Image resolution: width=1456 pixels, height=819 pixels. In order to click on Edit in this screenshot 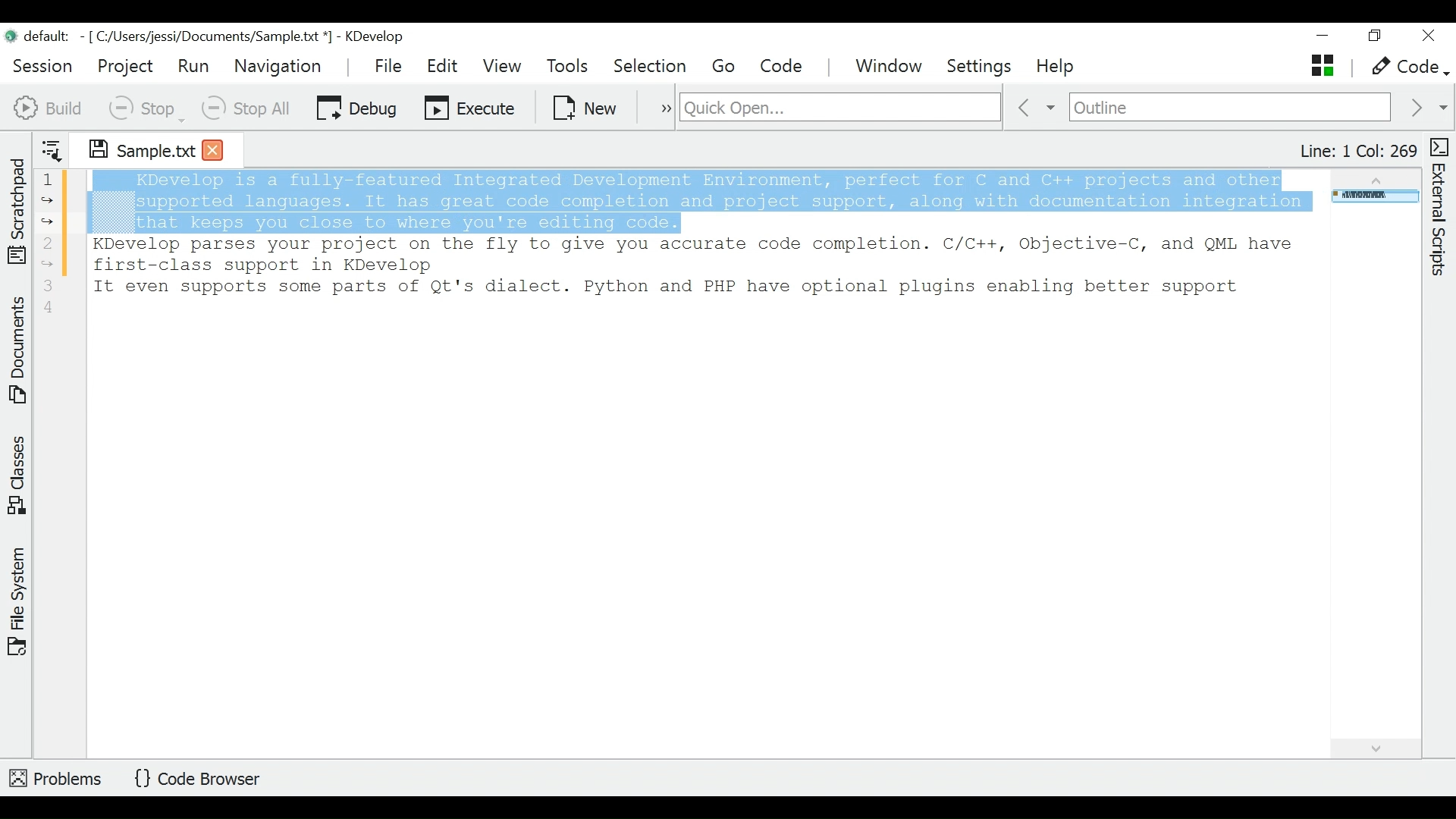, I will do `click(444, 66)`.